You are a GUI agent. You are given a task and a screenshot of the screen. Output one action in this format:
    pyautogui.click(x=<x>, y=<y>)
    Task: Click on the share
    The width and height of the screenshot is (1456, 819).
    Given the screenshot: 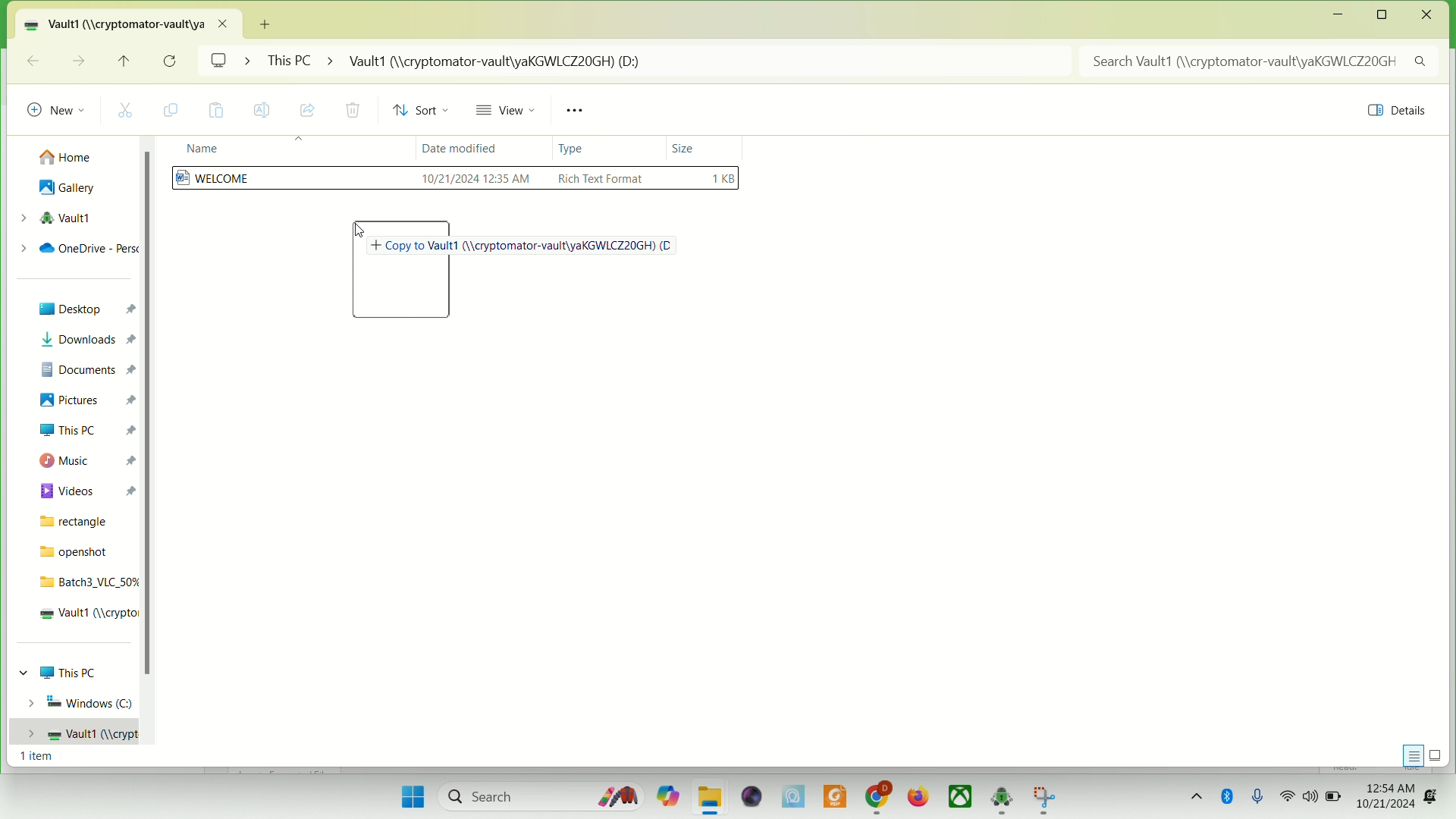 What is the action you would take?
    pyautogui.click(x=308, y=108)
    